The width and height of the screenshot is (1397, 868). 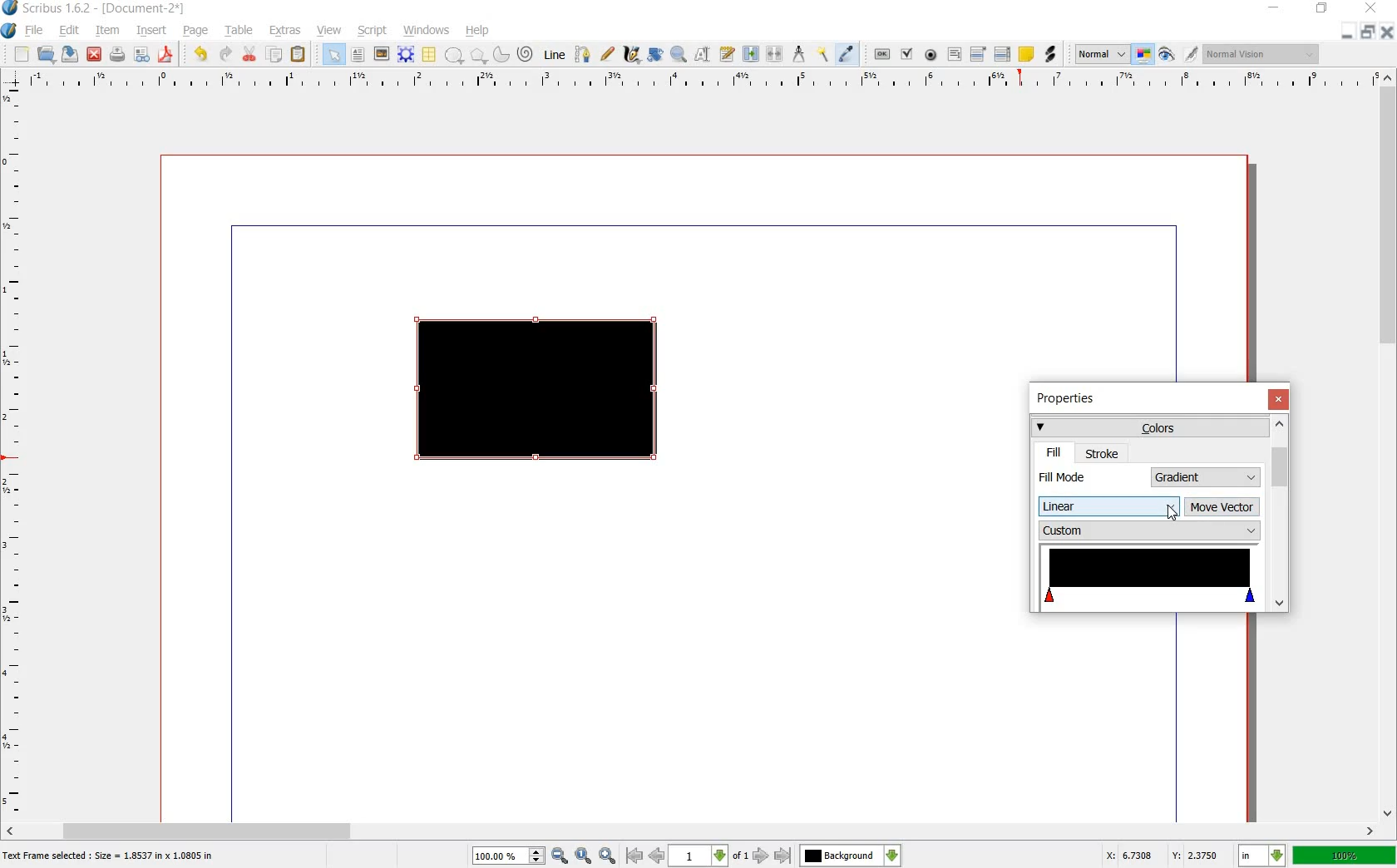 I want to click on close, so click(x=1374, y=7).